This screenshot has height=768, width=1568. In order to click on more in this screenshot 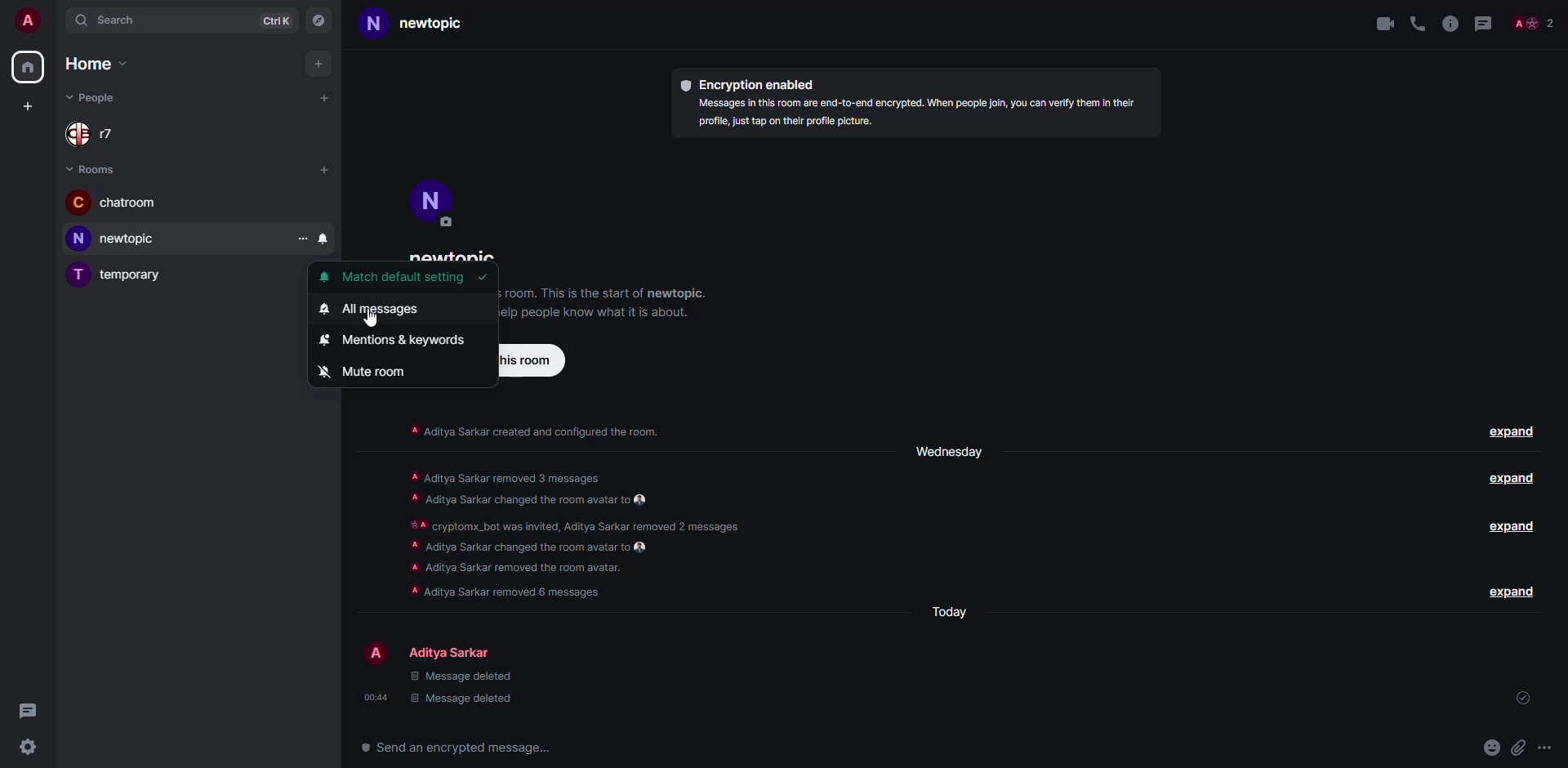, I will do `click(305, 238)`.